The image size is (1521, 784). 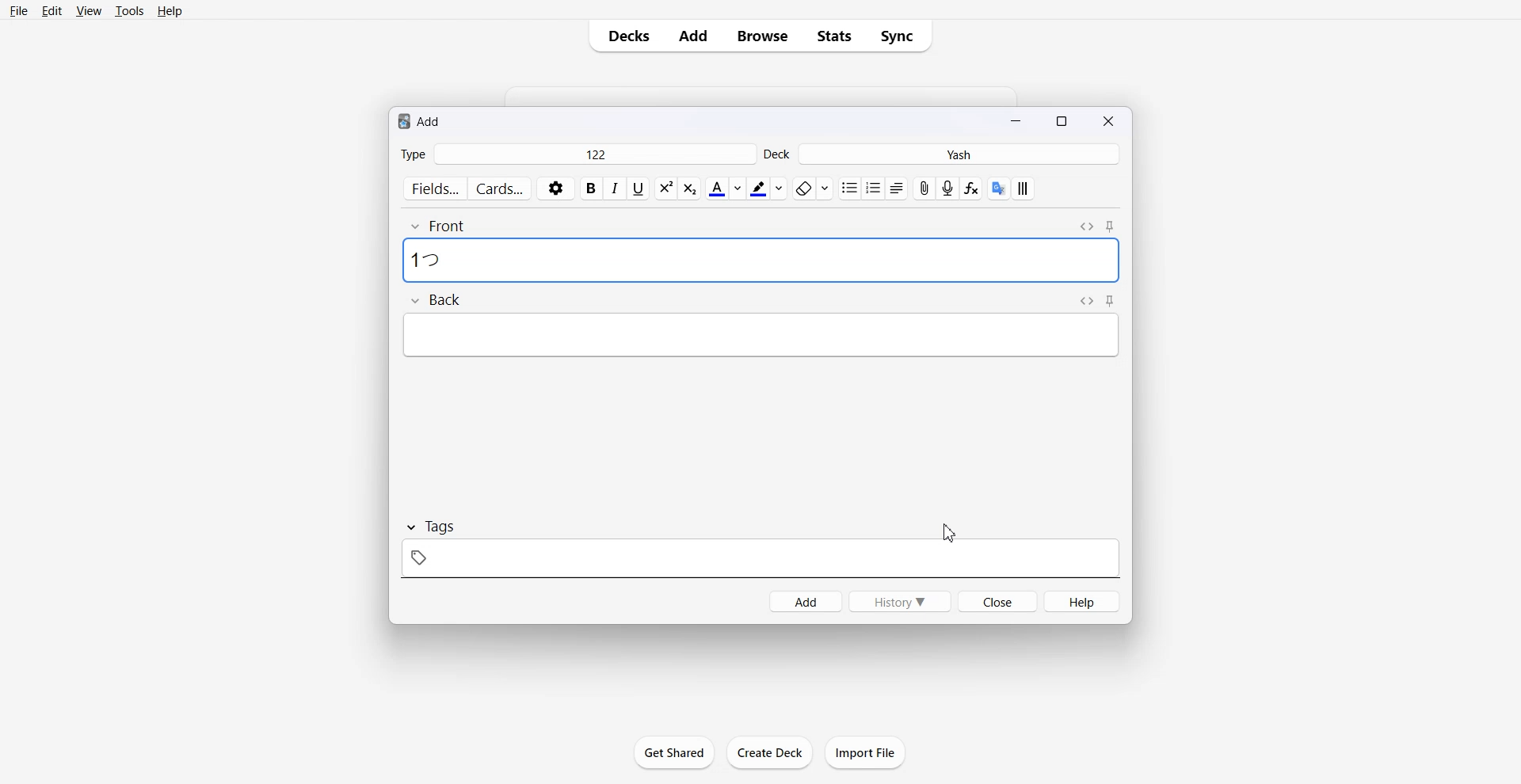 What do you see at coordinates (429, 259) in the screenshot?
I see `Text` at bounding box center [429, 259].